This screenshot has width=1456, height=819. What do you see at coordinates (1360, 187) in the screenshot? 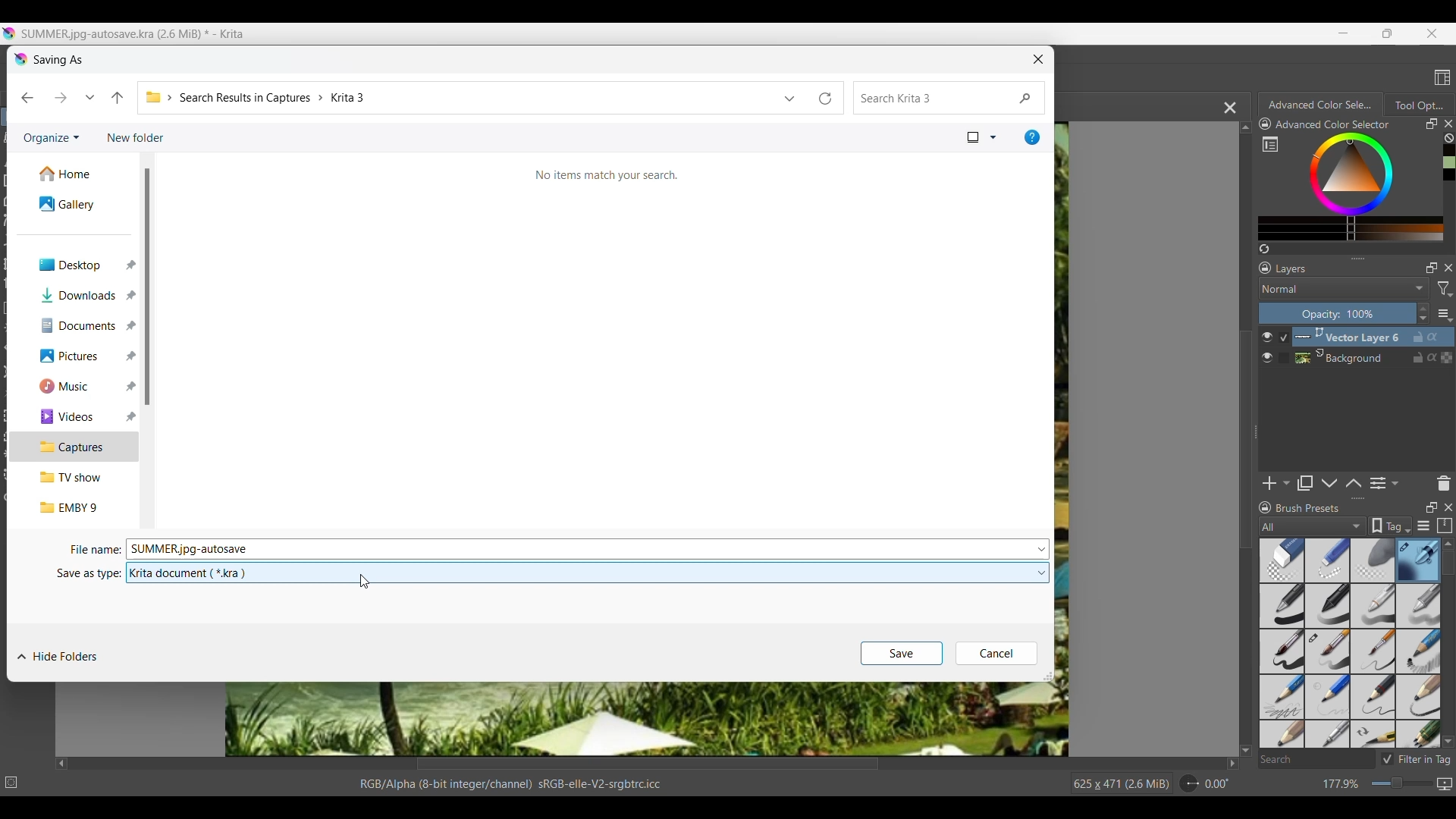
I see `Color range for selection` at bounding box center [1360, 187].